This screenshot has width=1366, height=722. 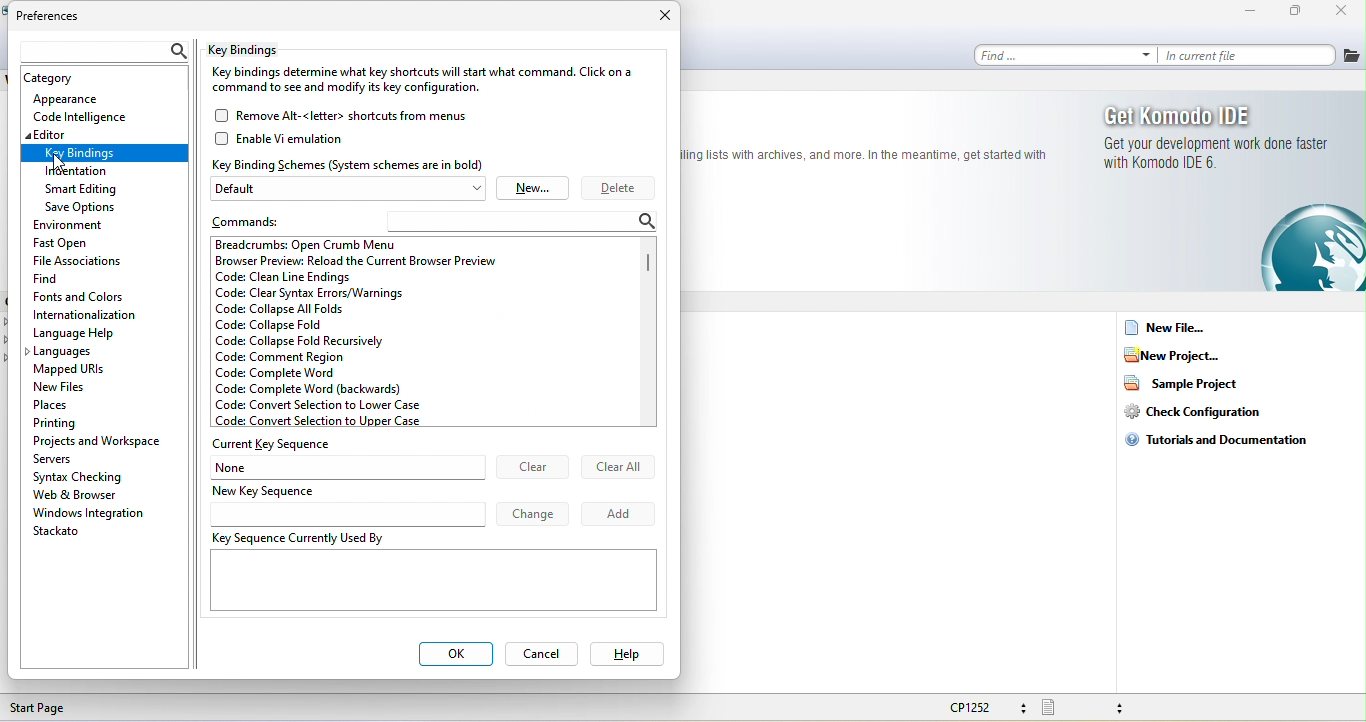 What do you see at coordinates (357, 261) in the screenshot?
I see `browse preview reload the current browse preview` at bounding box center [357, 261].